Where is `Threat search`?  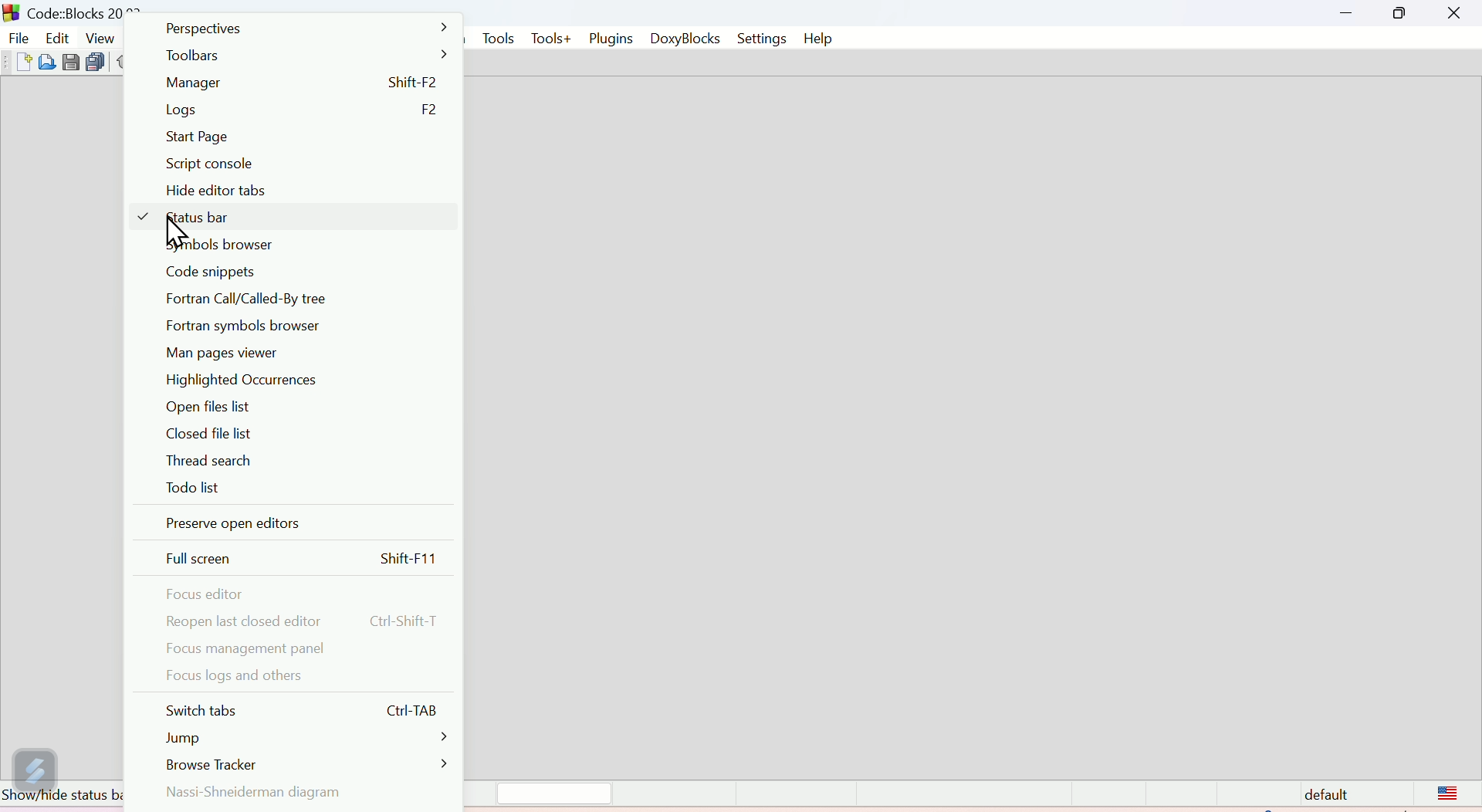
Threat search is located at coordinates (203, 458).